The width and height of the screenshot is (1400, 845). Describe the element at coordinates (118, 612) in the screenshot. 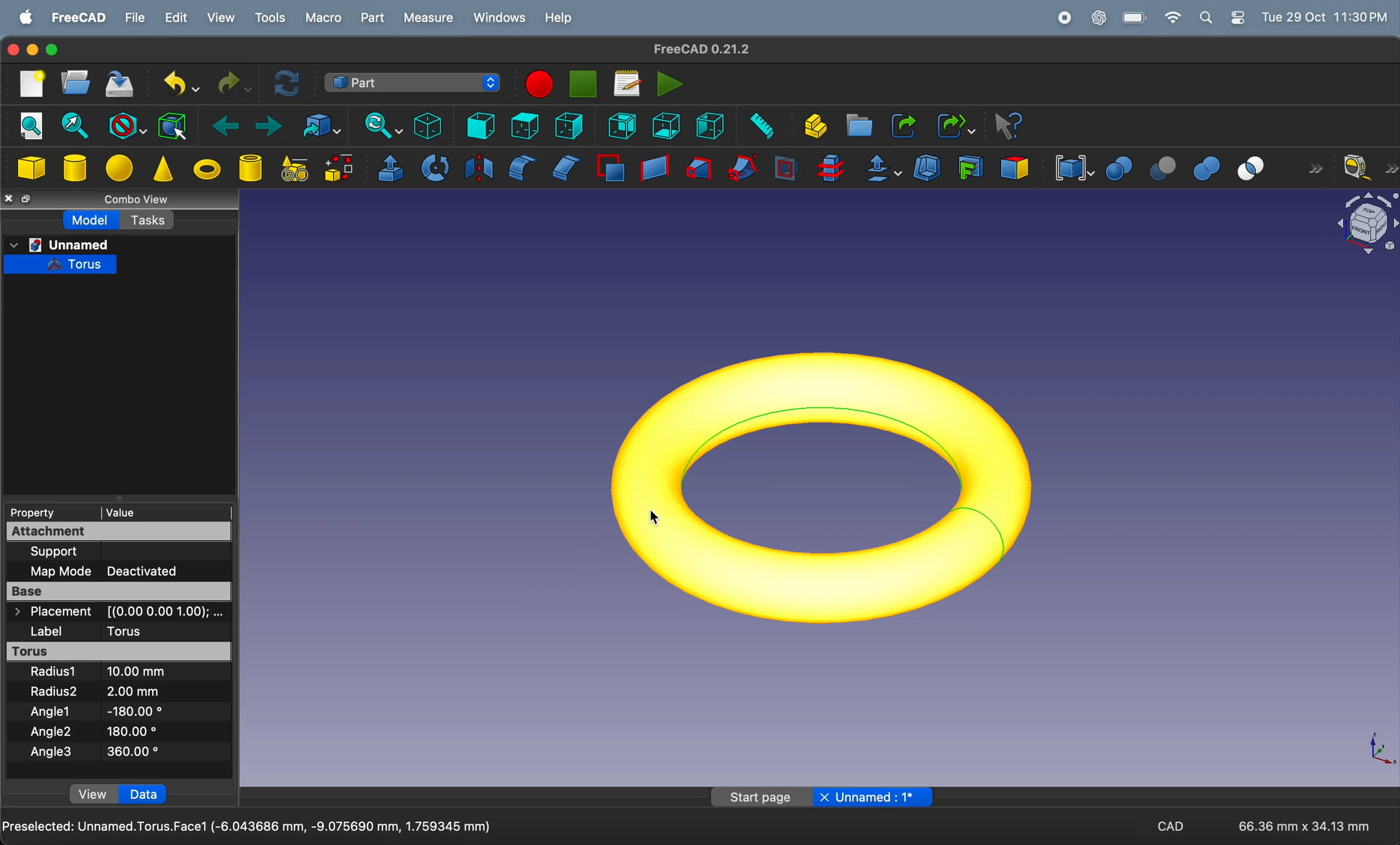

I see `placements` at that location.